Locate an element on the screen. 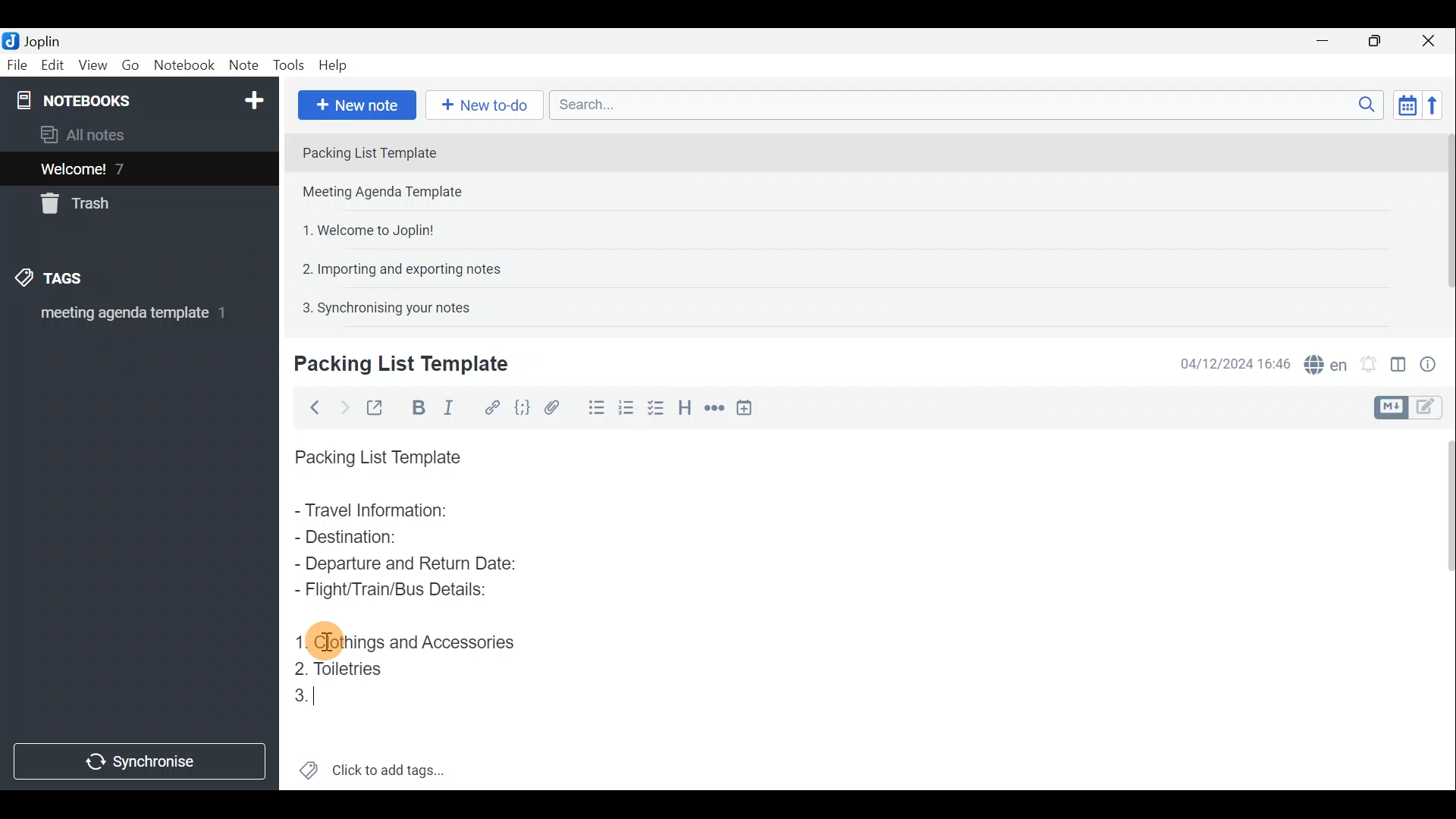 This screenshot has height=819, width=1456. Spell checker is located at coordinates (1322, 362).